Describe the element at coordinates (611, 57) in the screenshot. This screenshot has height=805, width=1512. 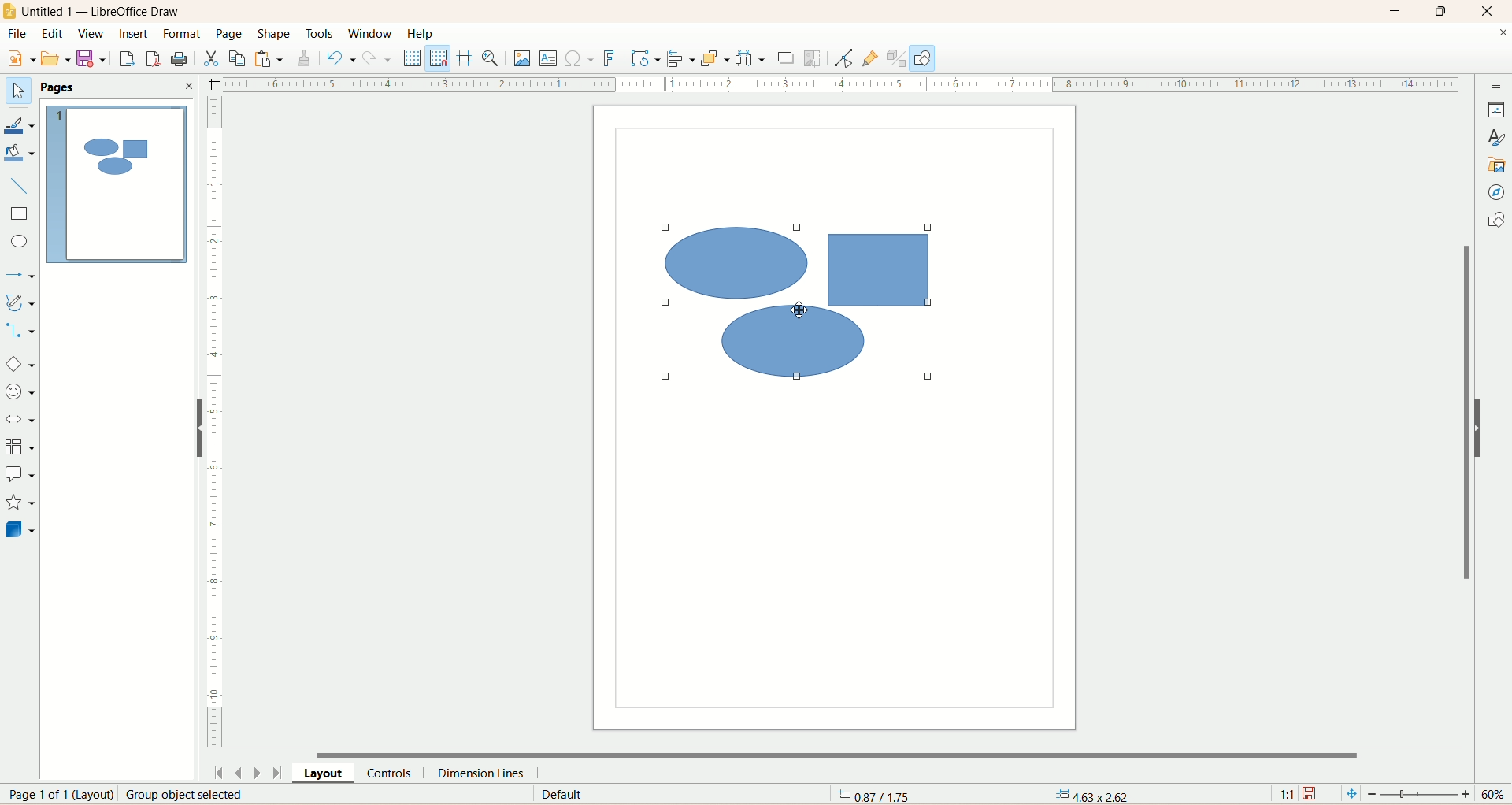
I see `fontwork text` at that location.